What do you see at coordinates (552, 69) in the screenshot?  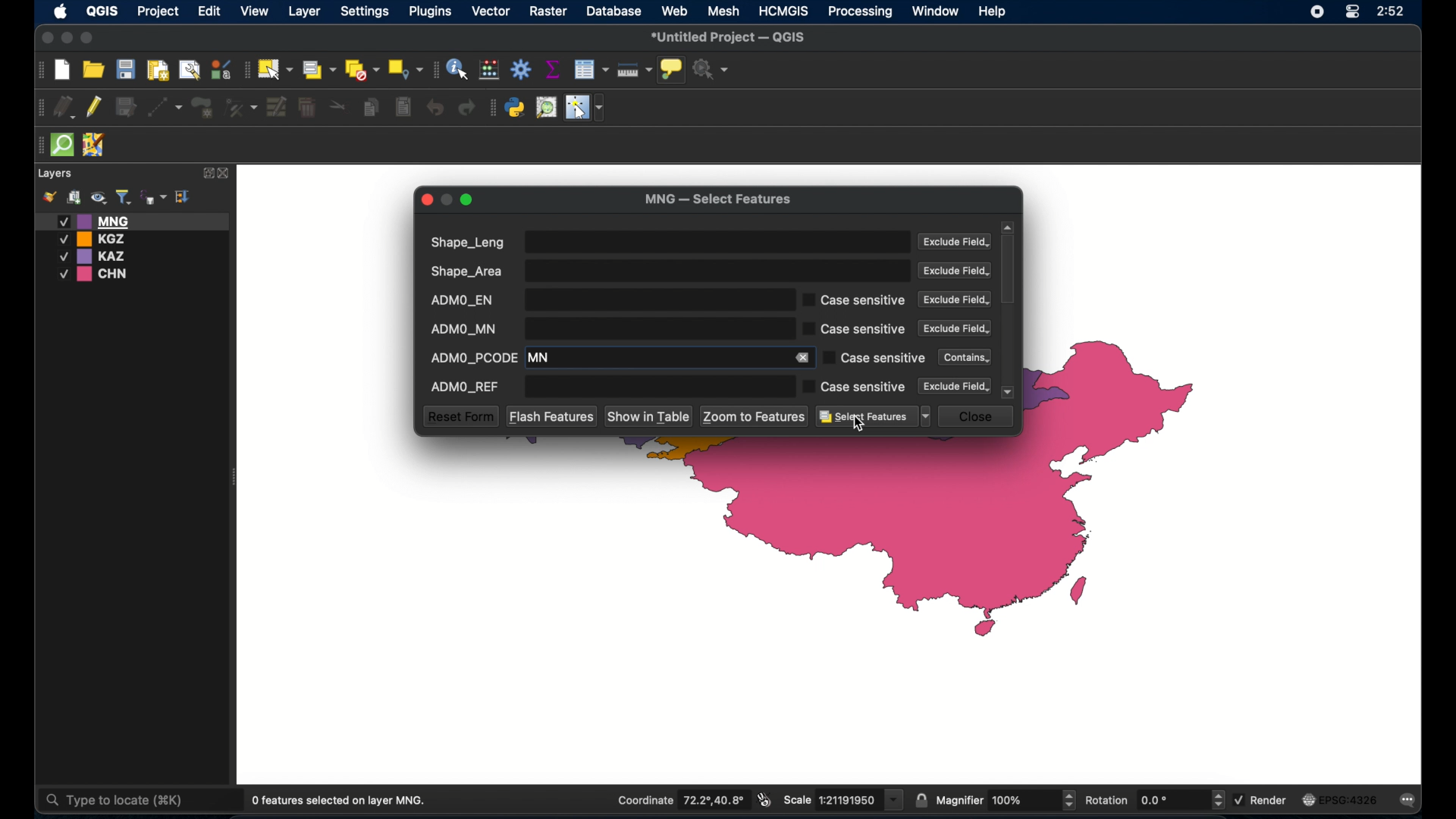 I see `show statistical summary` at bounding box center [552, 69].